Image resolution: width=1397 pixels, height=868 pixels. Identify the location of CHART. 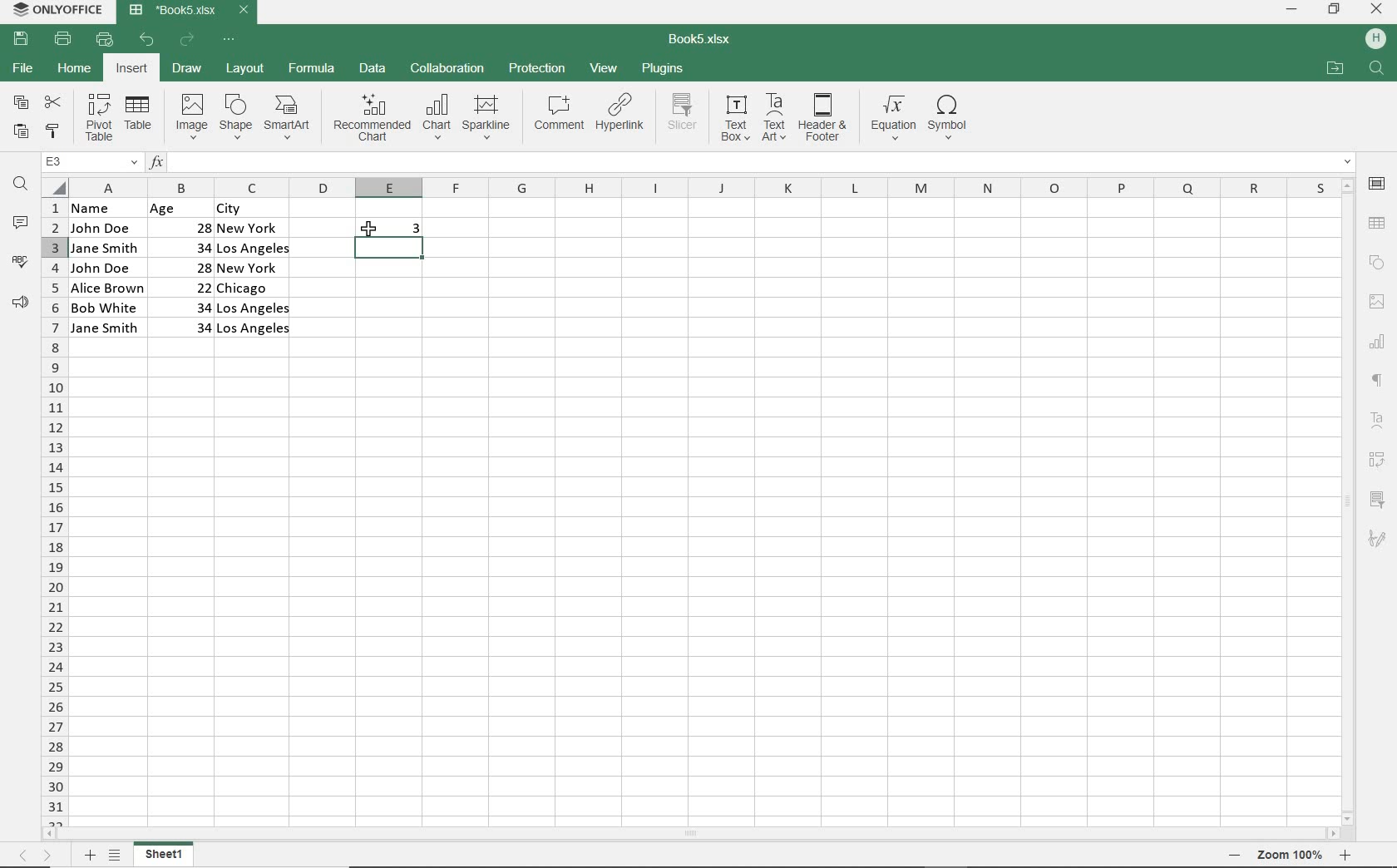
(436, 120).